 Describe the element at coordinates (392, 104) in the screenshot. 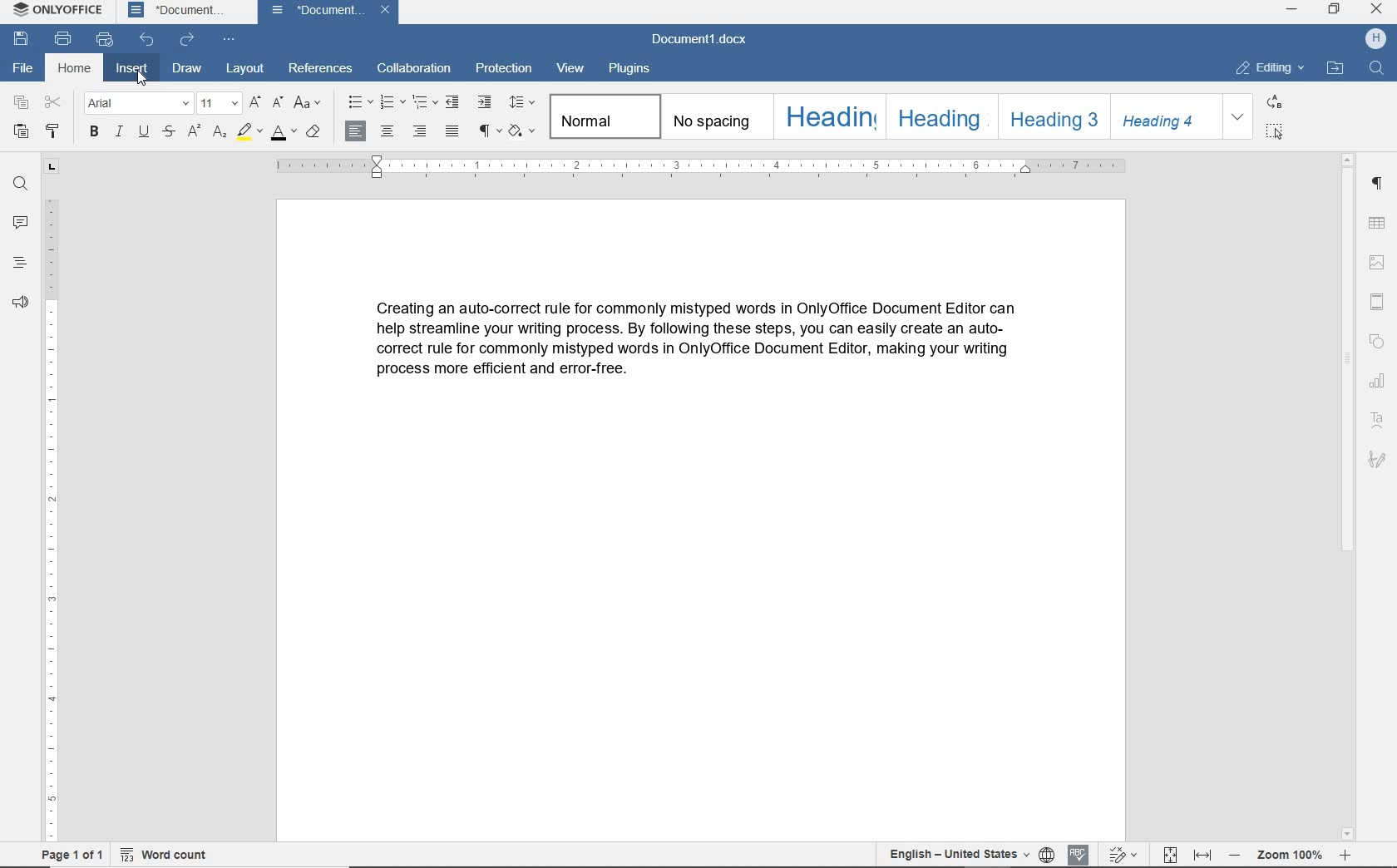

I see `numbering` at that location.